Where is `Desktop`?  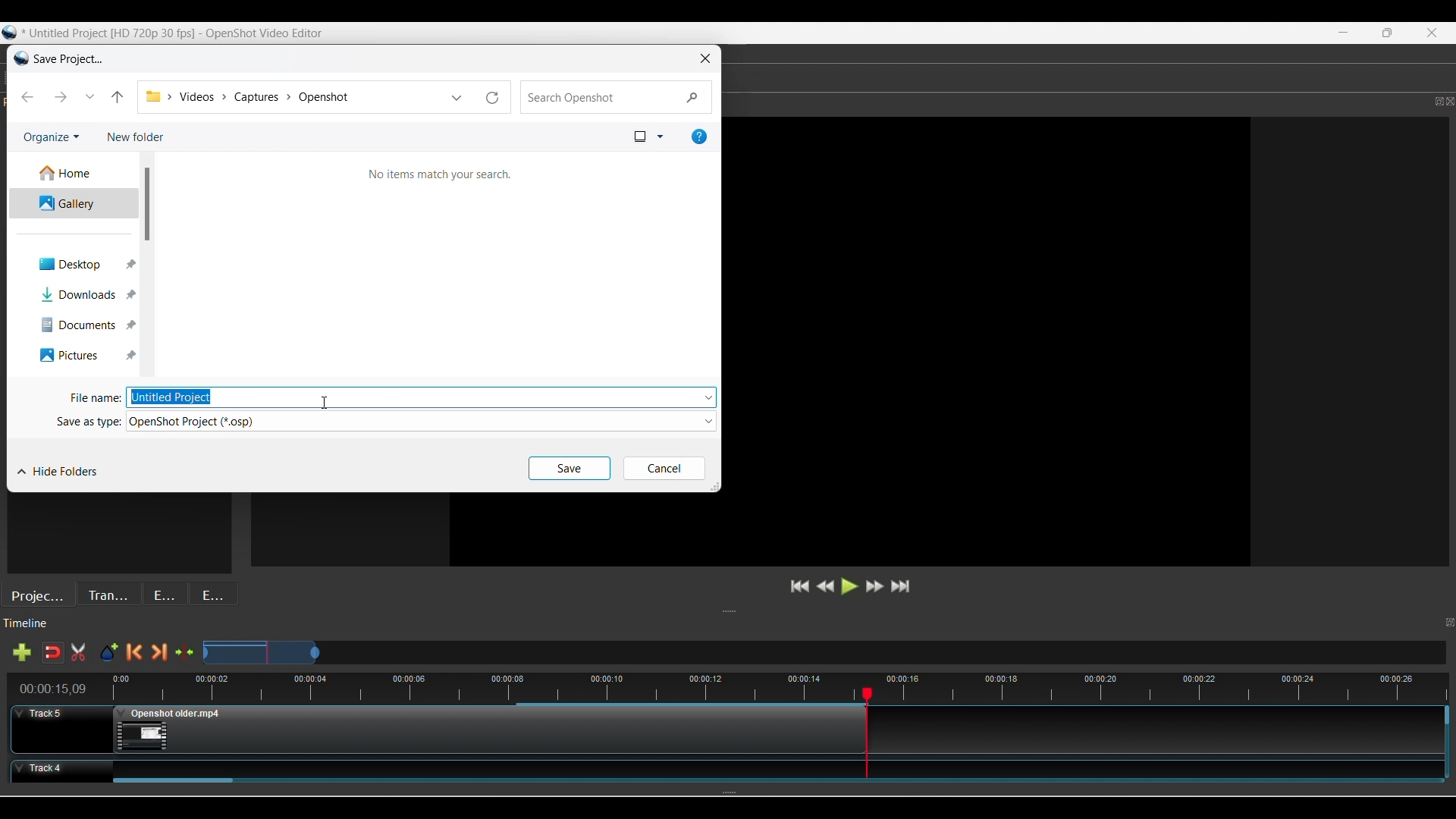 Desktop is located at coordinates (77, 262).